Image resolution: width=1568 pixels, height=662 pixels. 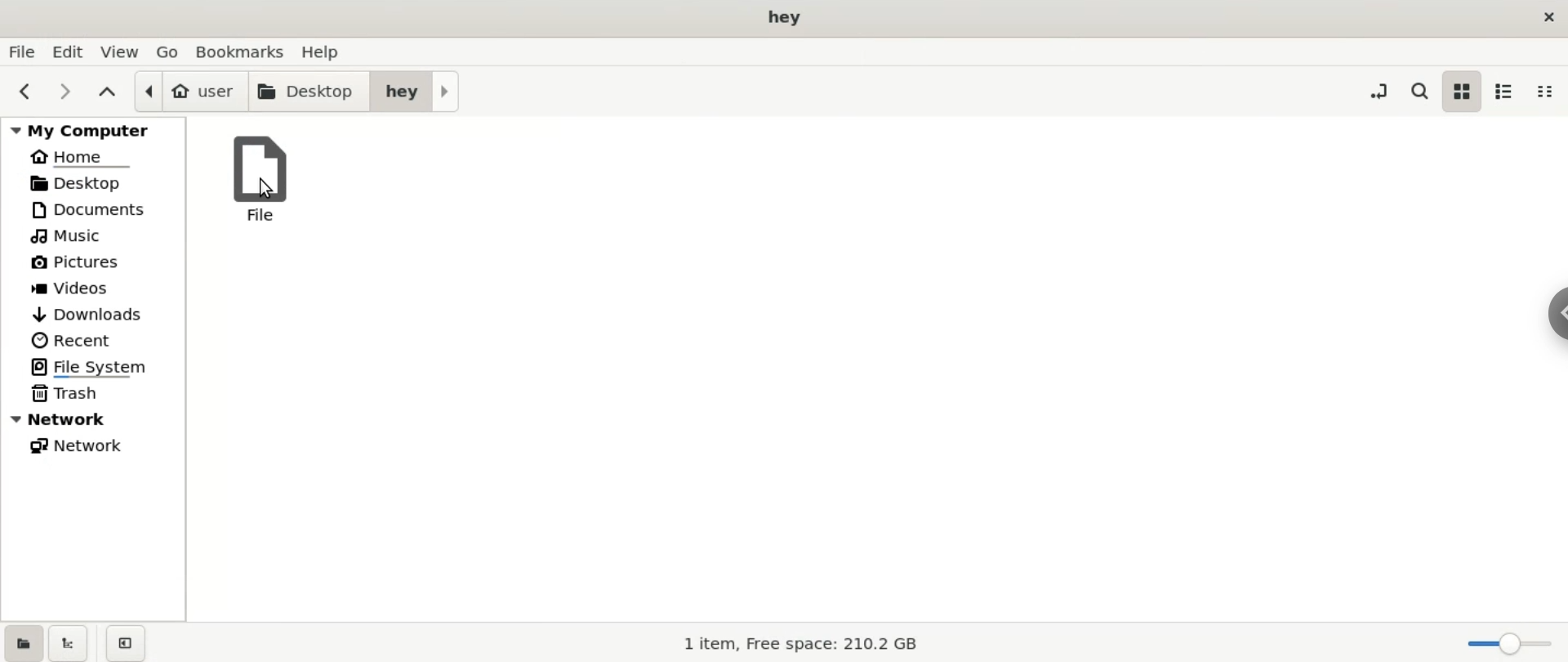 What do you see at coordinates (93, 211) in the screenshot?
I see `documents` at bounding box center [93, 211].